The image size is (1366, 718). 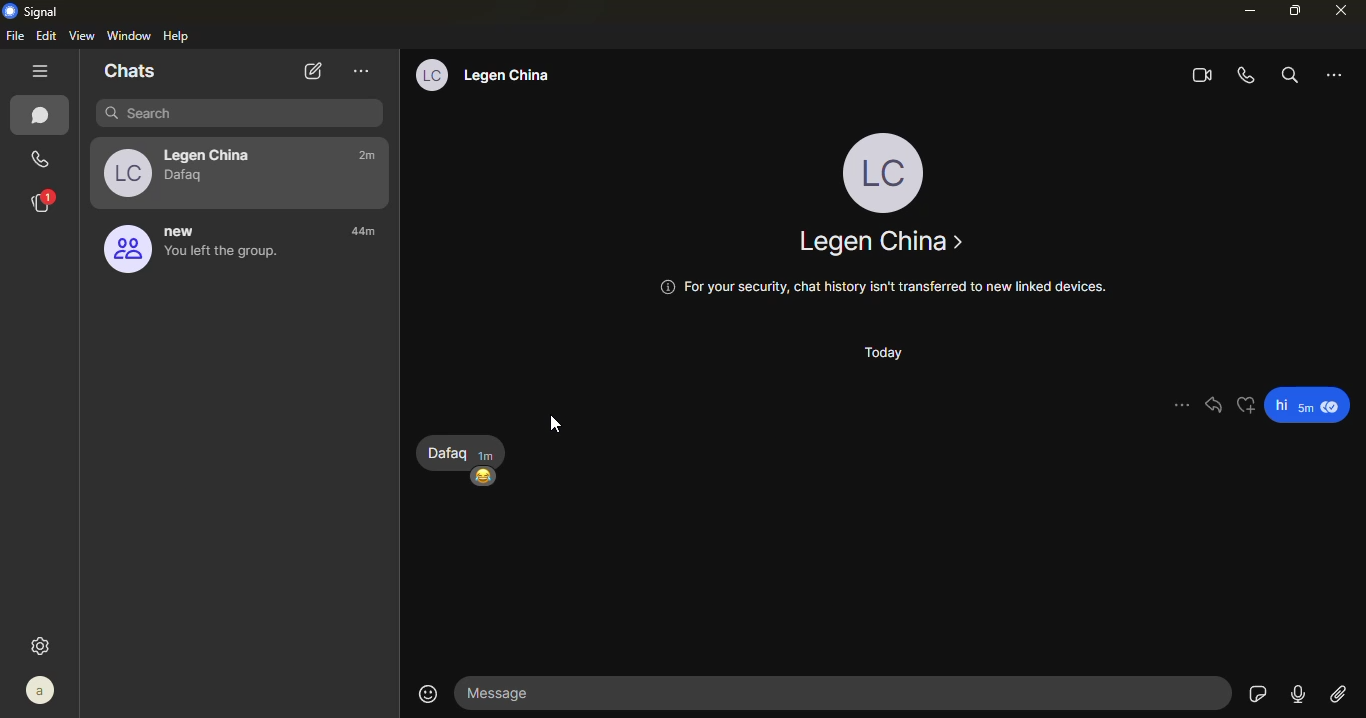 What do you see at coordinates (43, 116) in the screenshot?
I see `chats` at bounding box center [43, 116].